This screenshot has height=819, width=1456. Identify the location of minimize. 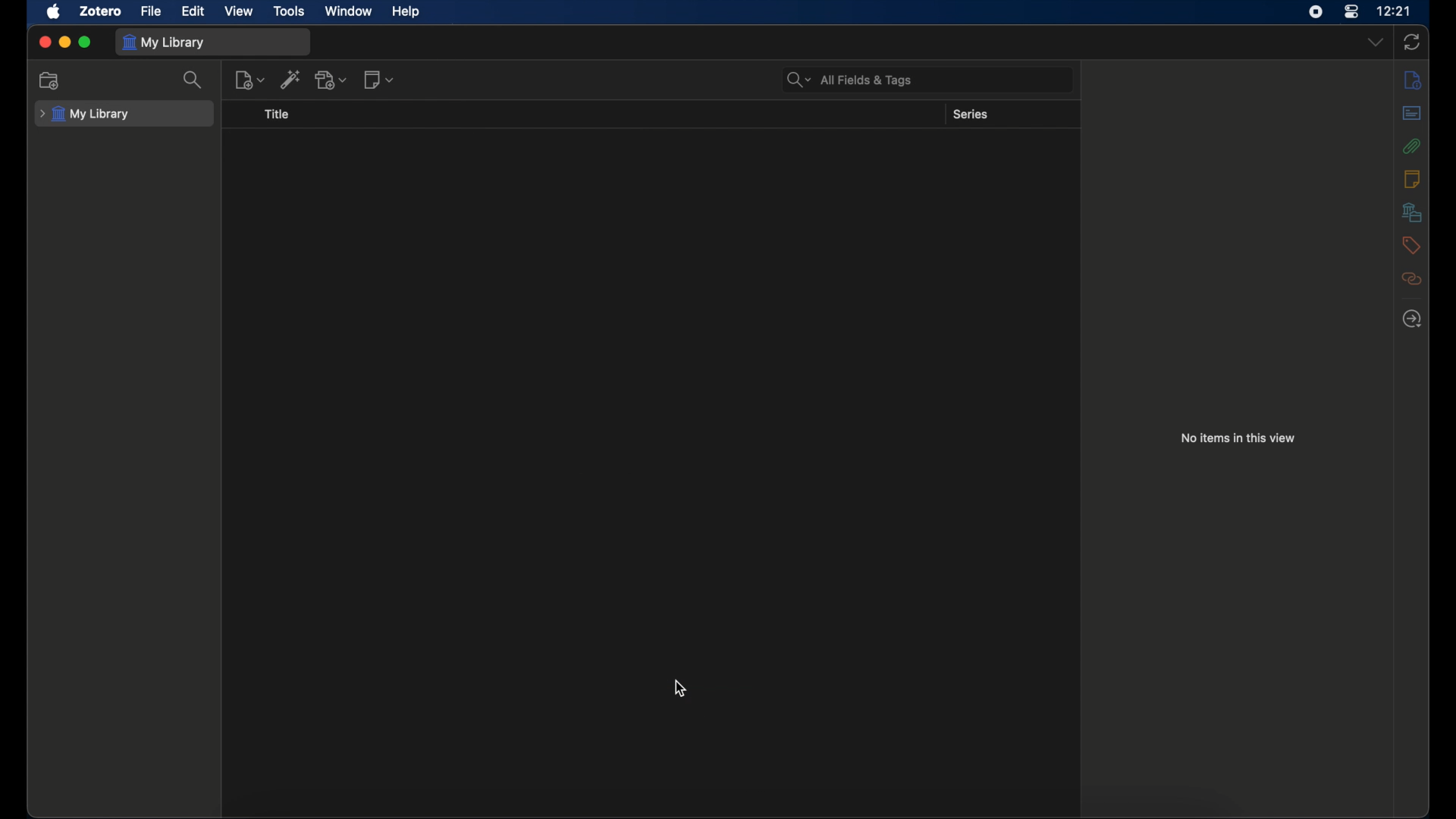
(65, 42).